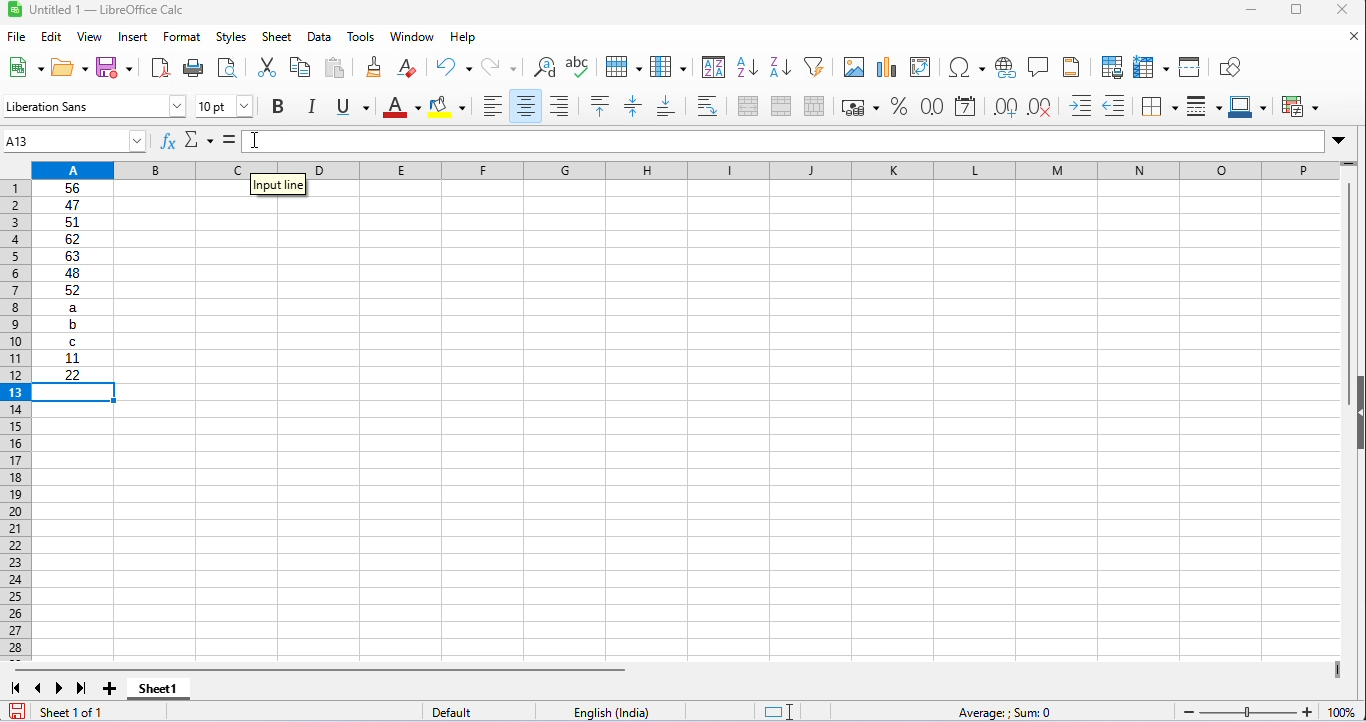  What do you see at coordinates (967, 68) in the screenshot?
I see `insert special characters` at bounding box center [967, 68].